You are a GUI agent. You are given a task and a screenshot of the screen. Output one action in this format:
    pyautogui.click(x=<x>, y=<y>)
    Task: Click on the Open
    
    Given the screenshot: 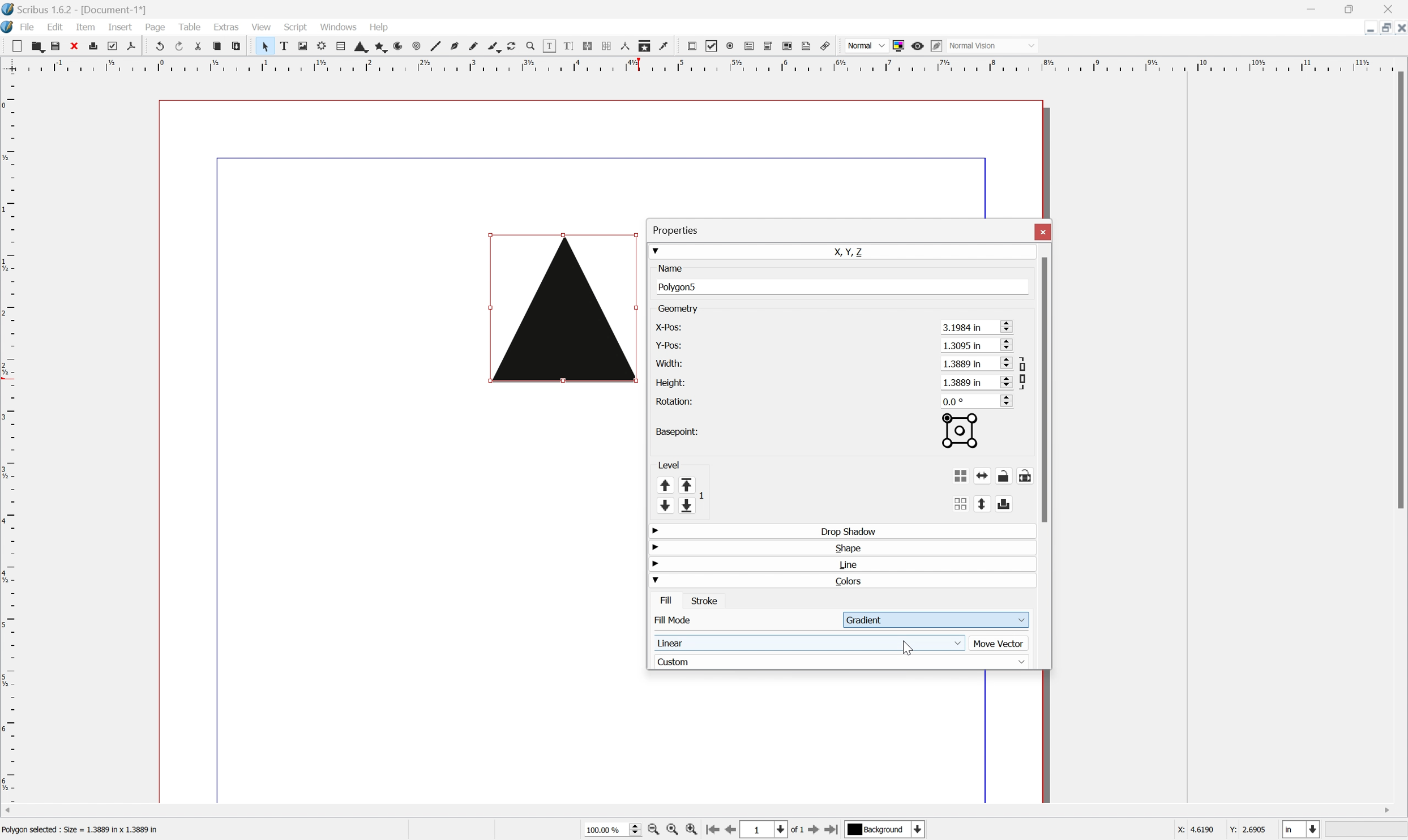 What is the action you would take?
    pyautogui.click(x=35, y=45)
    